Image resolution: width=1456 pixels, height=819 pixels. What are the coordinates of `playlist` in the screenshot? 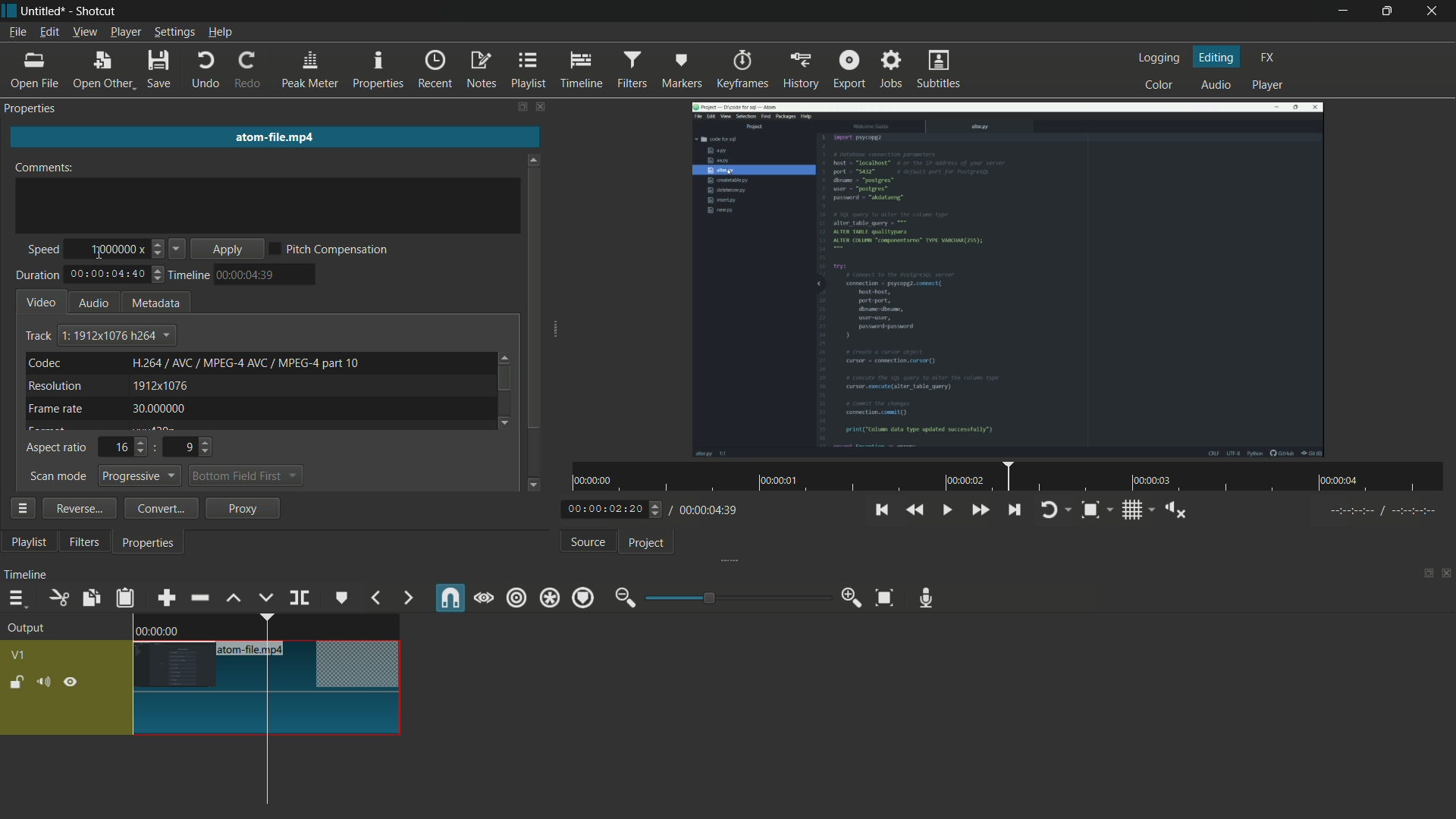 It's located at (28, 542).